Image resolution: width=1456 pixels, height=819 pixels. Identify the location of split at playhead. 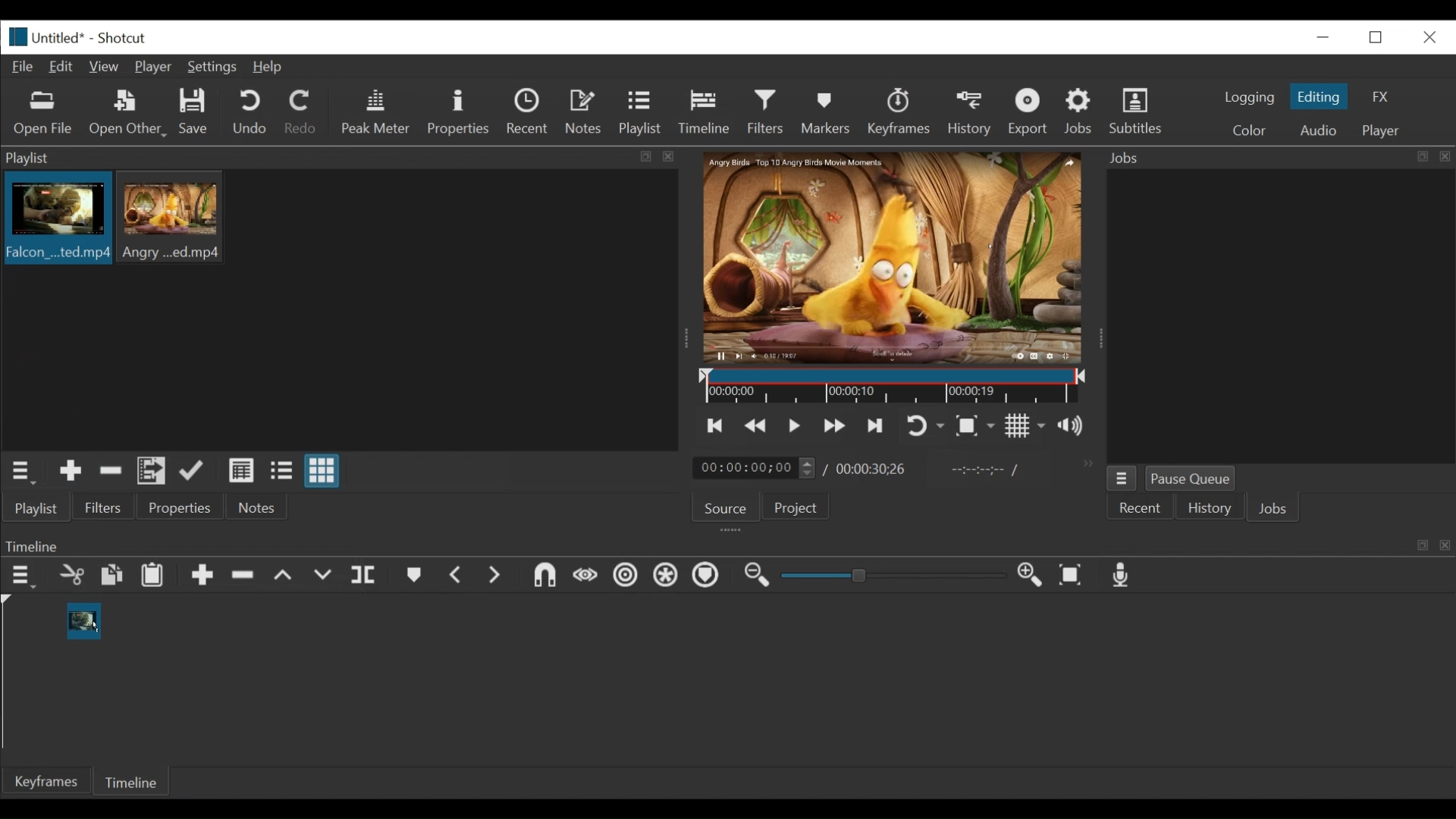
(366, 576).